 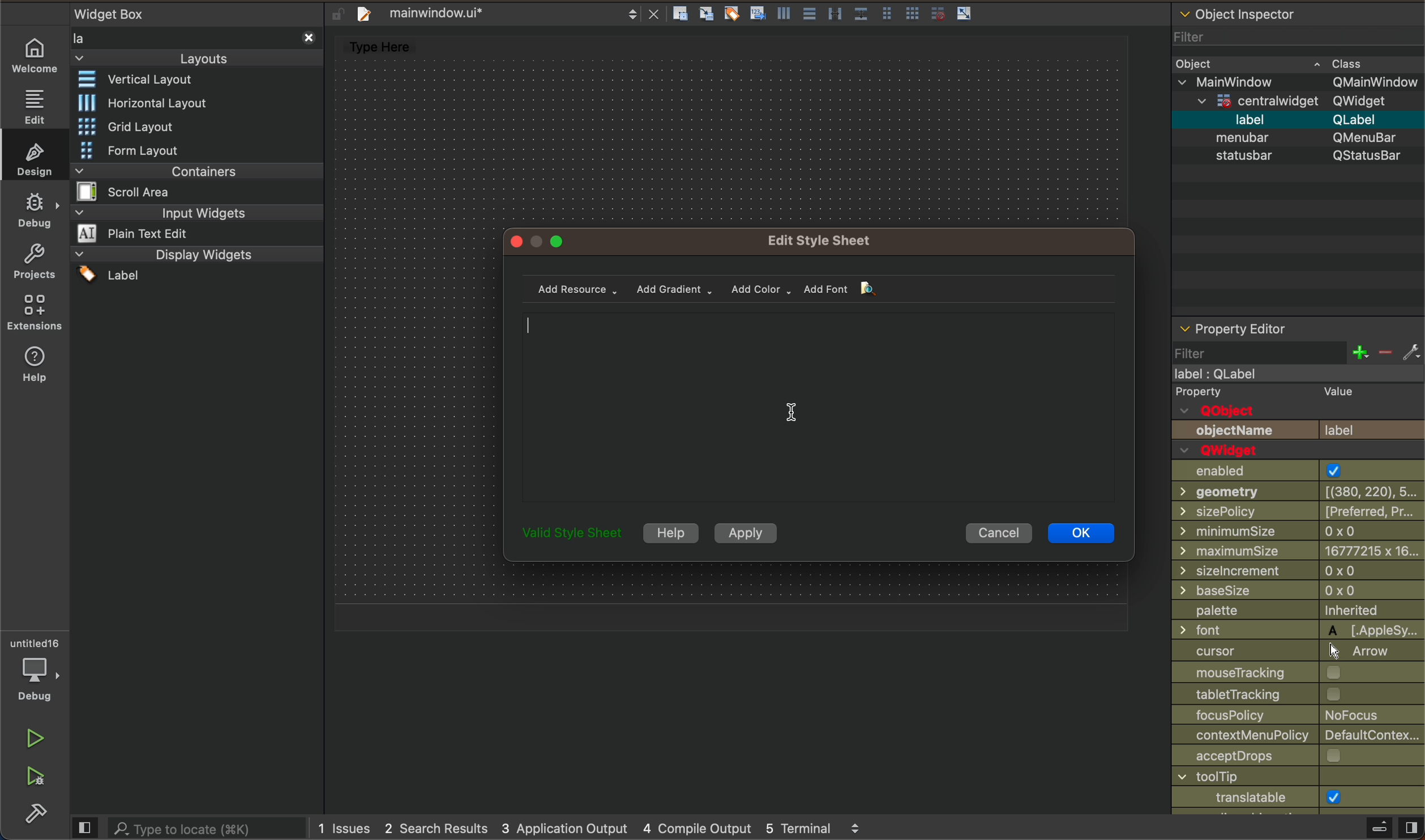 What do you see at coordinates (563, 829) in the screenshot?
I see `application output` at bounding box center [563, 829].